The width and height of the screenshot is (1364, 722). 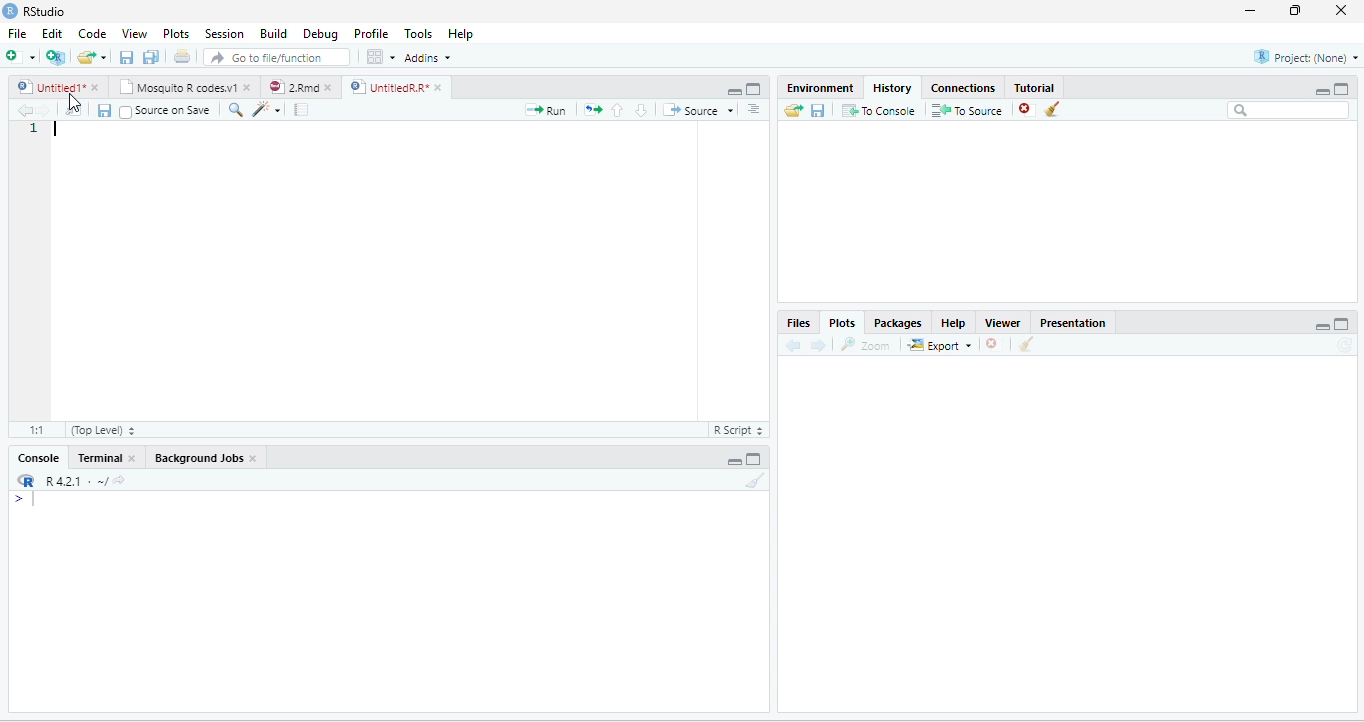 What do you see at coordinates (237, 111) in the screenshot?
I see `Find/Replace` at bounding box center [237, 111].